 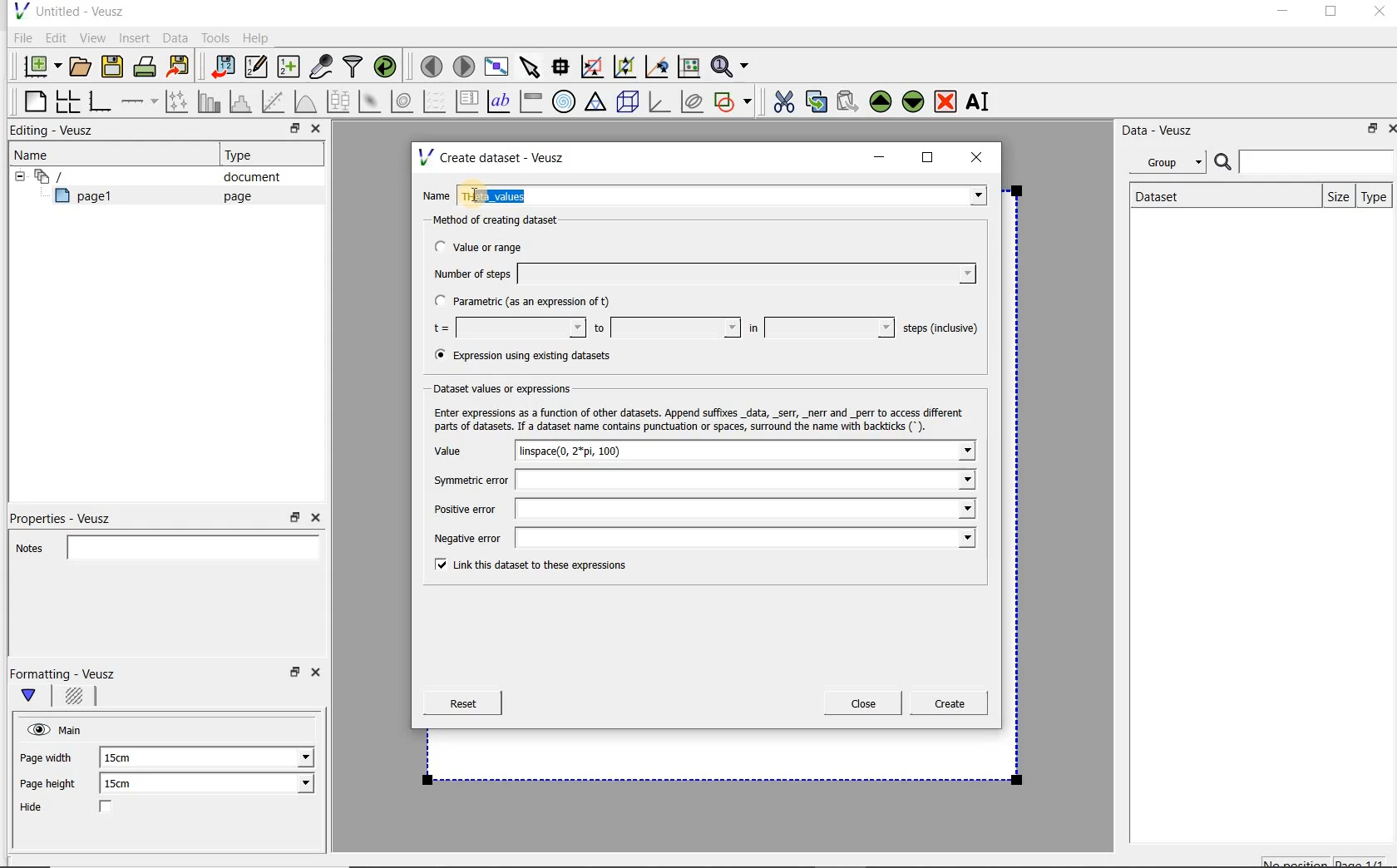 What do you see at coordinates (136, 37) in the screenshot?
I see `Insert` at bounding box center [136, 37].